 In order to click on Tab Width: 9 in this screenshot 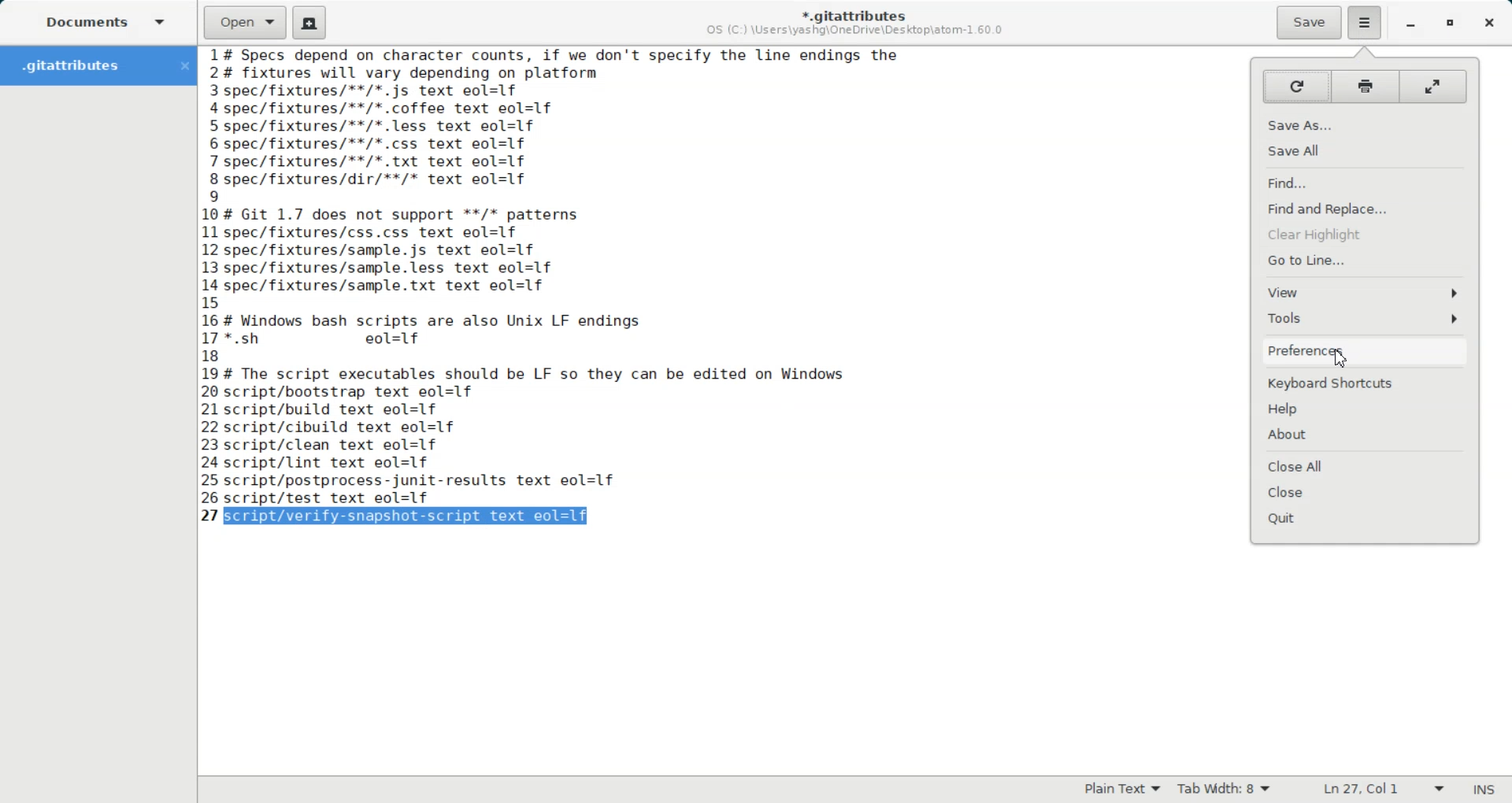, I will do `click(1225, 790)`.